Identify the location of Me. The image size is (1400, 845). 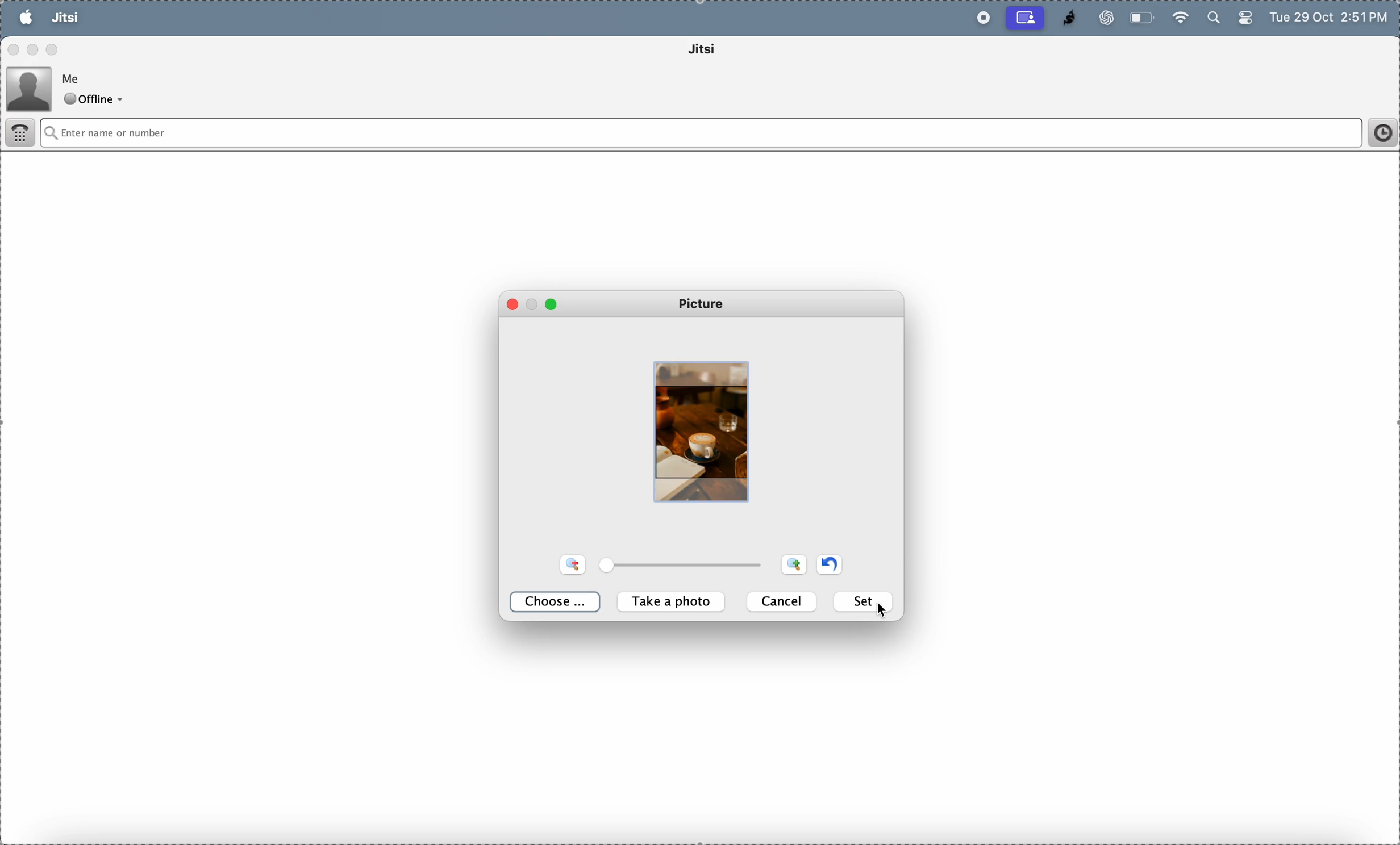
(74, 77).